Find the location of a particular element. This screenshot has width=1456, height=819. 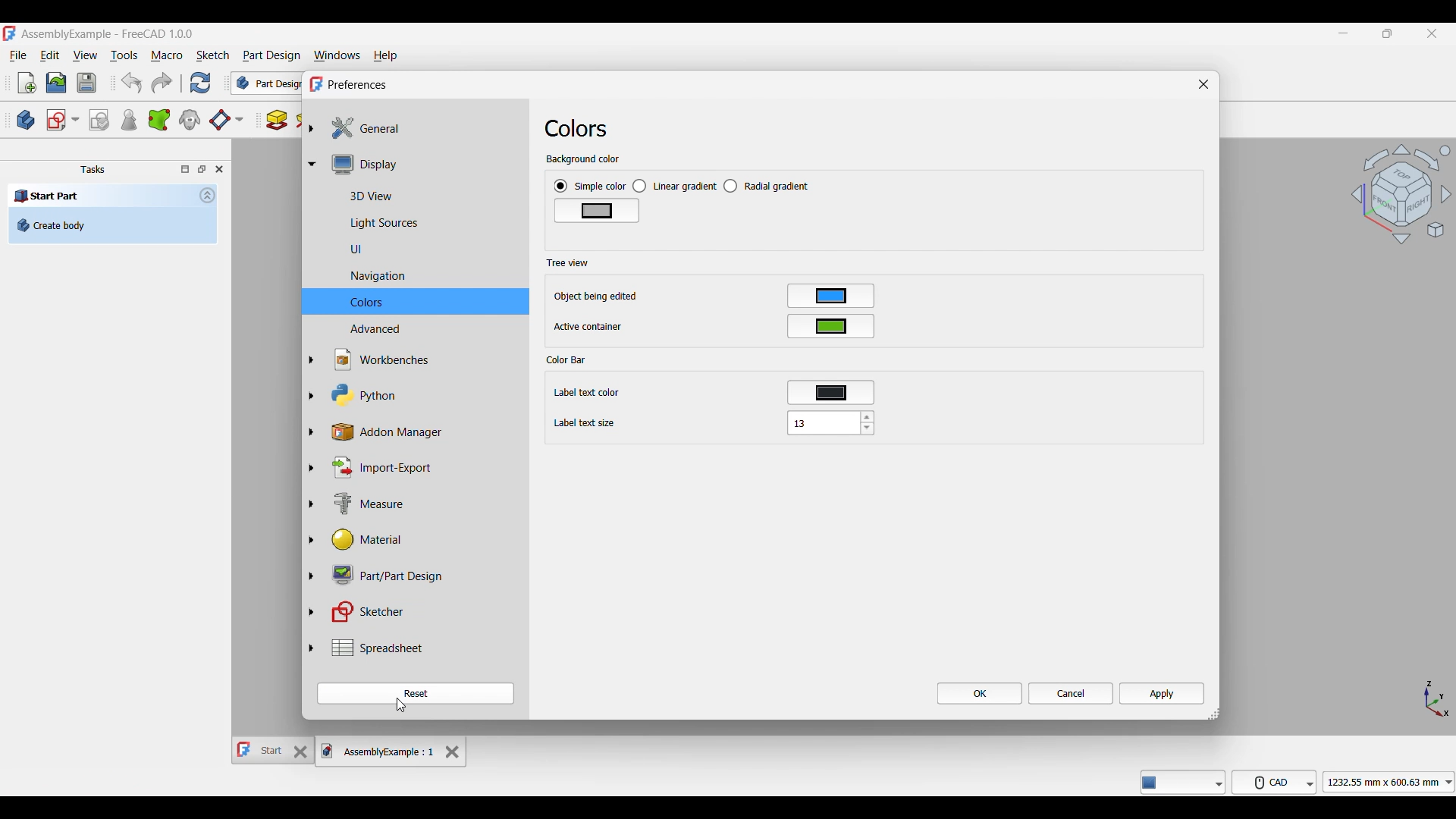

Sketch menu  is located at coordinates (213, 55).